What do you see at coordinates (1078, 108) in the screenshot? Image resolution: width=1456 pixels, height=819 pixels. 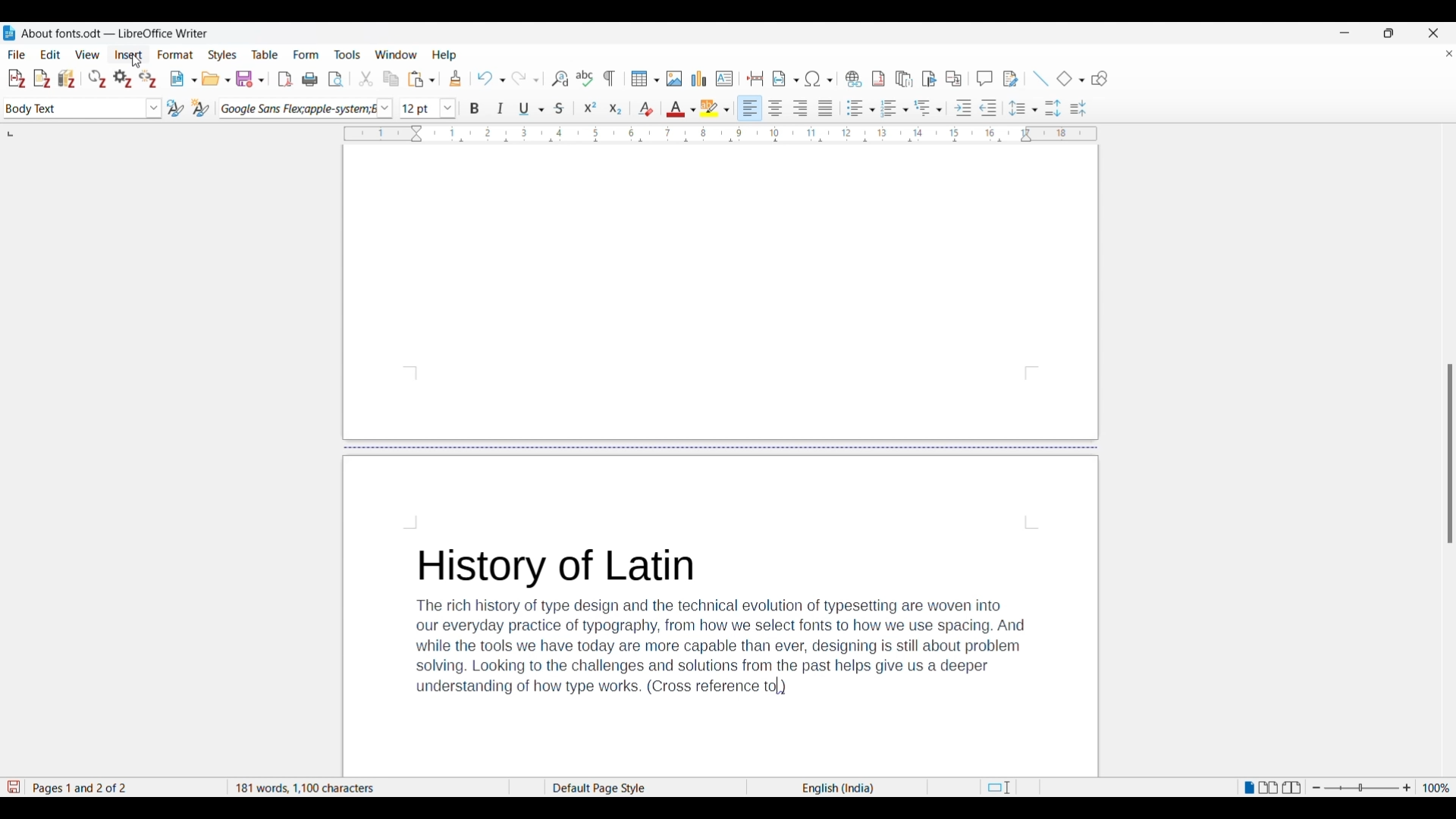 I see `Decrease paragraph spacing` at bounding box center [1078, 108].